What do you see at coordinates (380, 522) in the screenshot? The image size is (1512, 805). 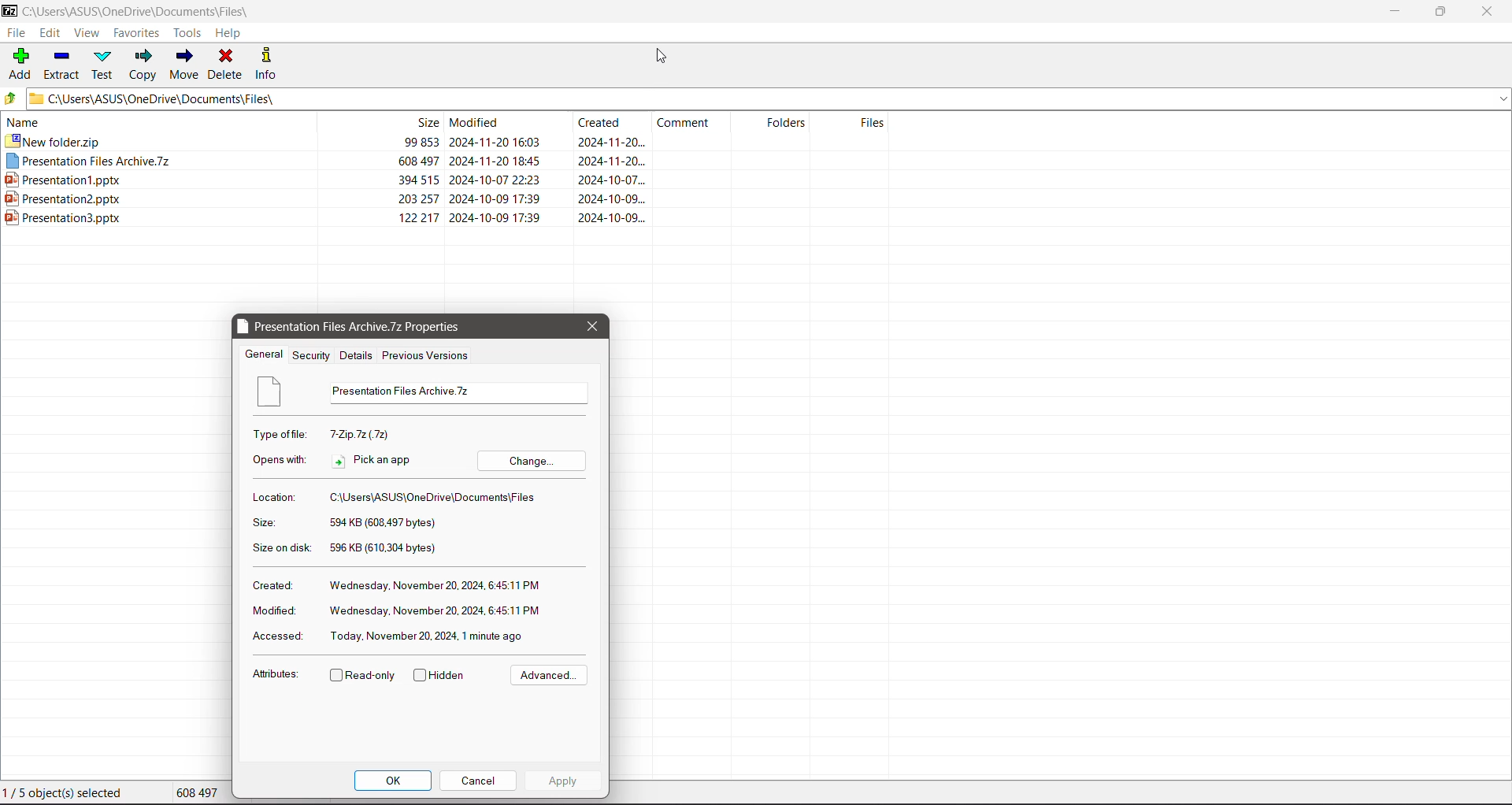 I see `File size` at bounding box center [380, 522].